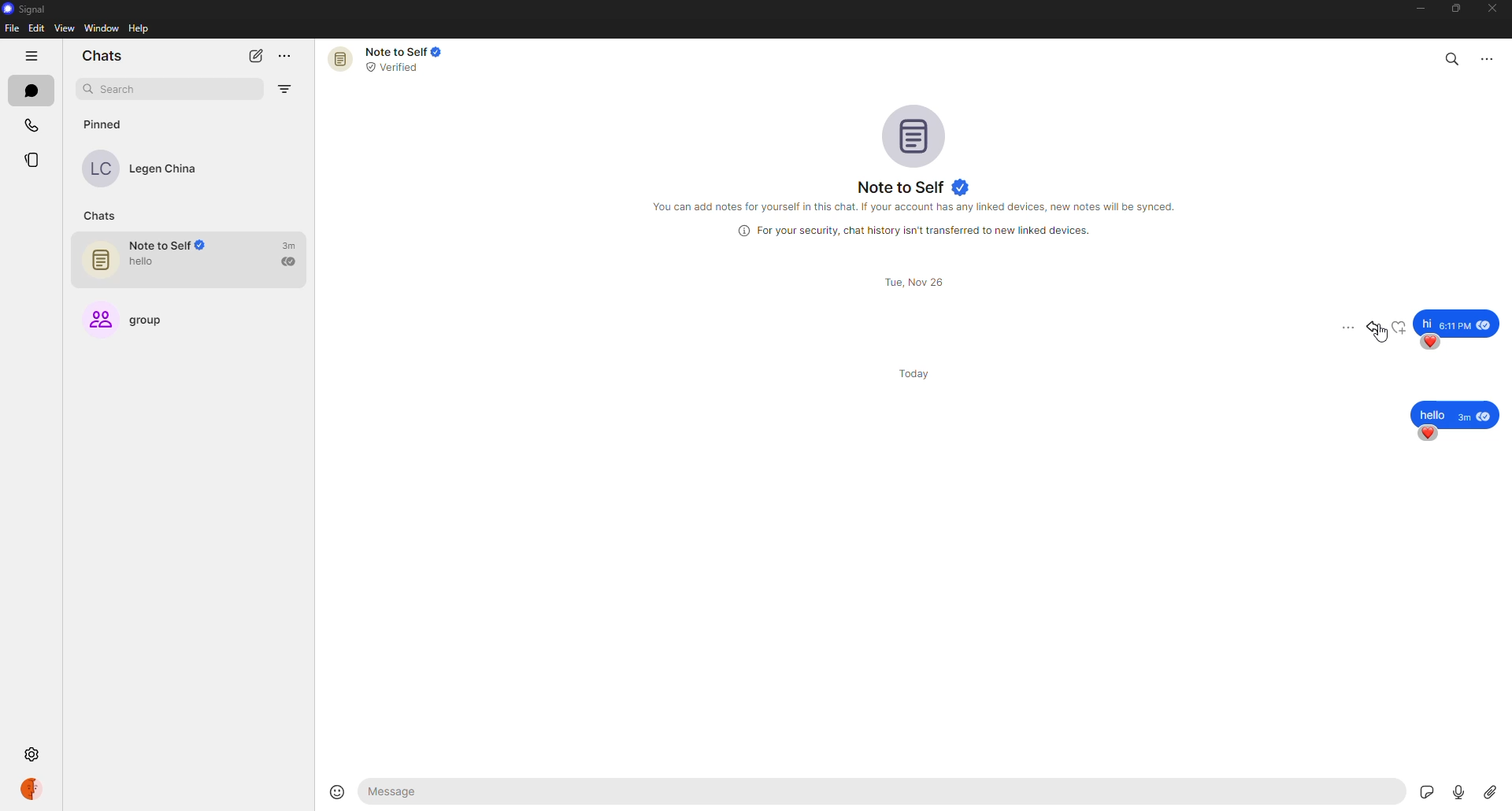 Image resolution: width=1512 pixels, height=811 pixels. I want to click on chats, so click(99, 215).